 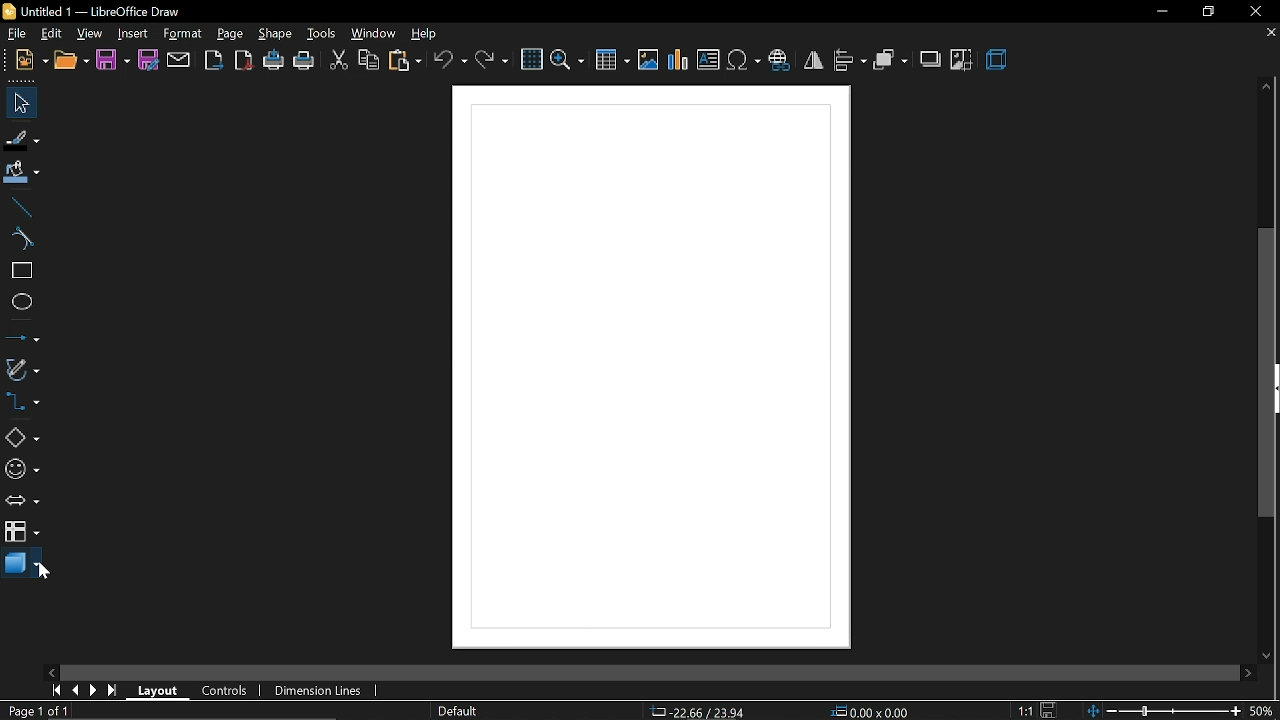 I want to click on cut, so click(x=338, y=58).